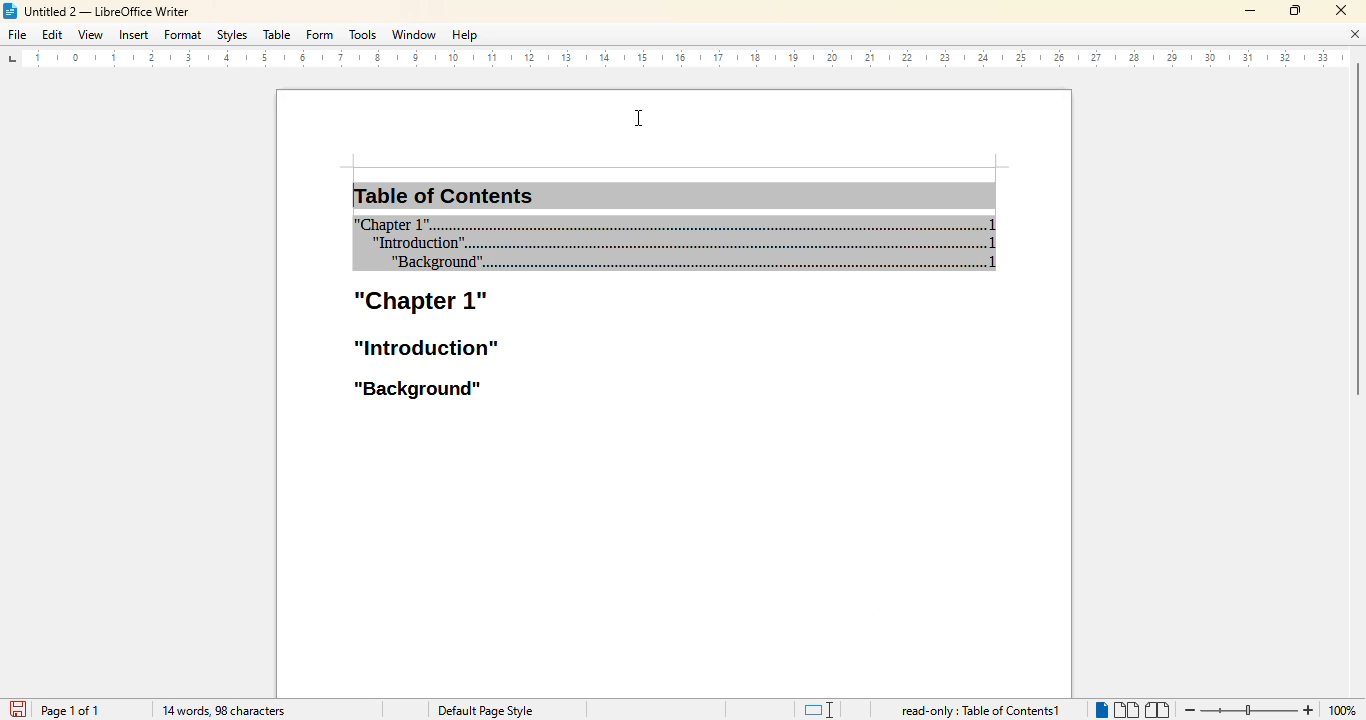 The height and width of the screenshot is (720, 1366). Describe the element at coordinates (1247, 710) in the screenshot. I see `zoom` at that location.